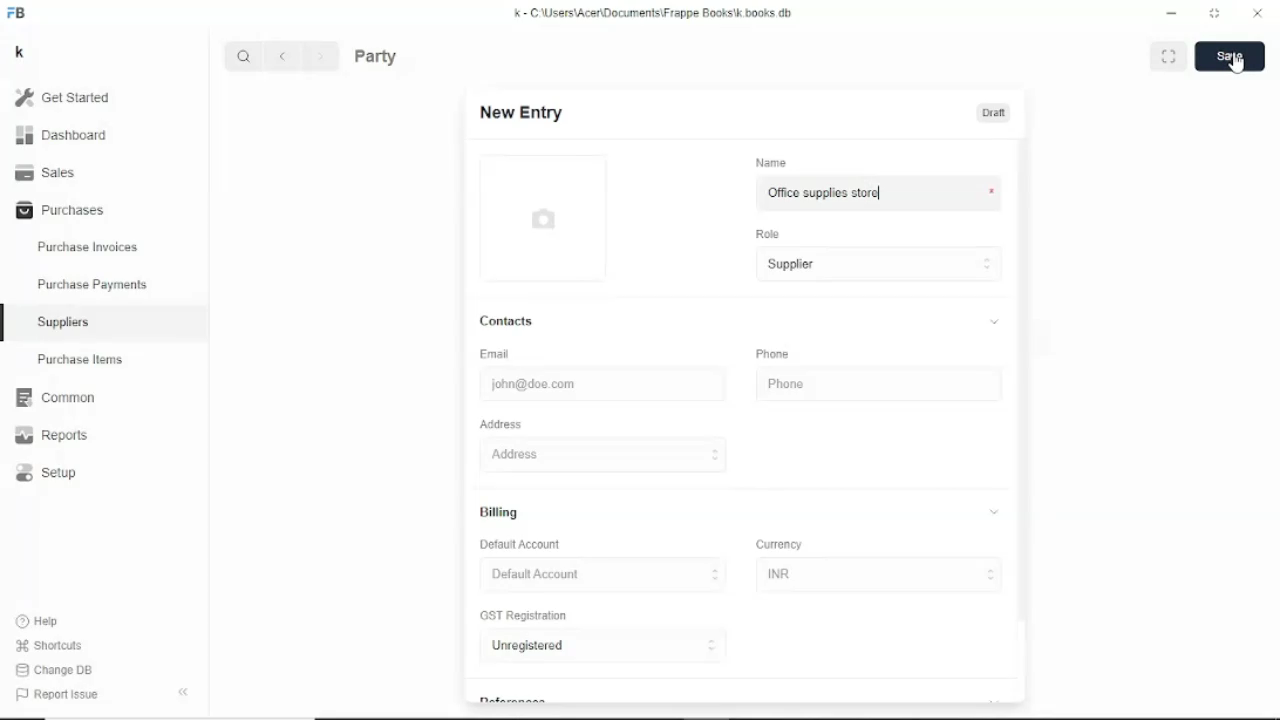  What do you see at coordinates (518, 113) in the screenshot?
I see `New entry` at bounding box center [518, 113].